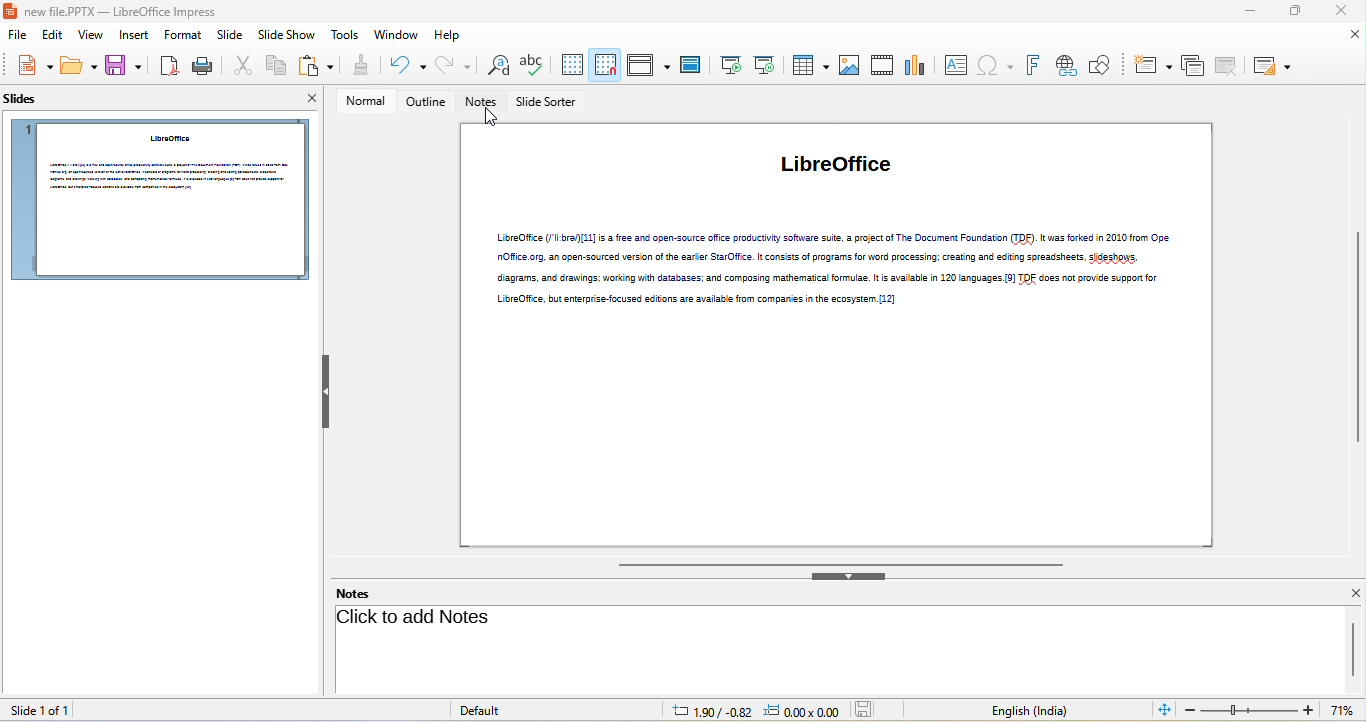 This screenshot has height=722, width=1366. I want to click on slide sorter, so click(549, 103).